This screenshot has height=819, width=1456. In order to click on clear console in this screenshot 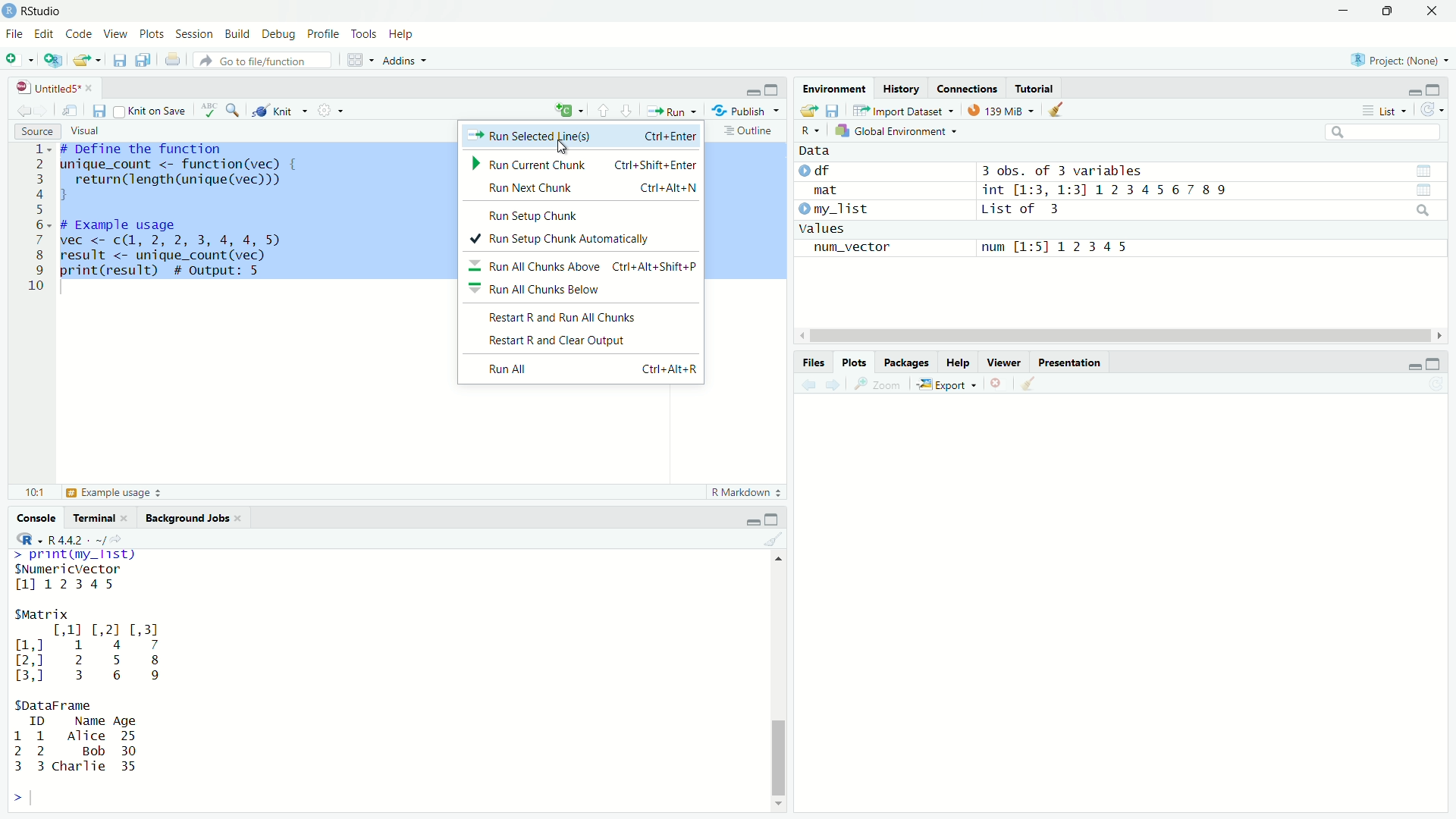, I will do `click(772, 541)`.